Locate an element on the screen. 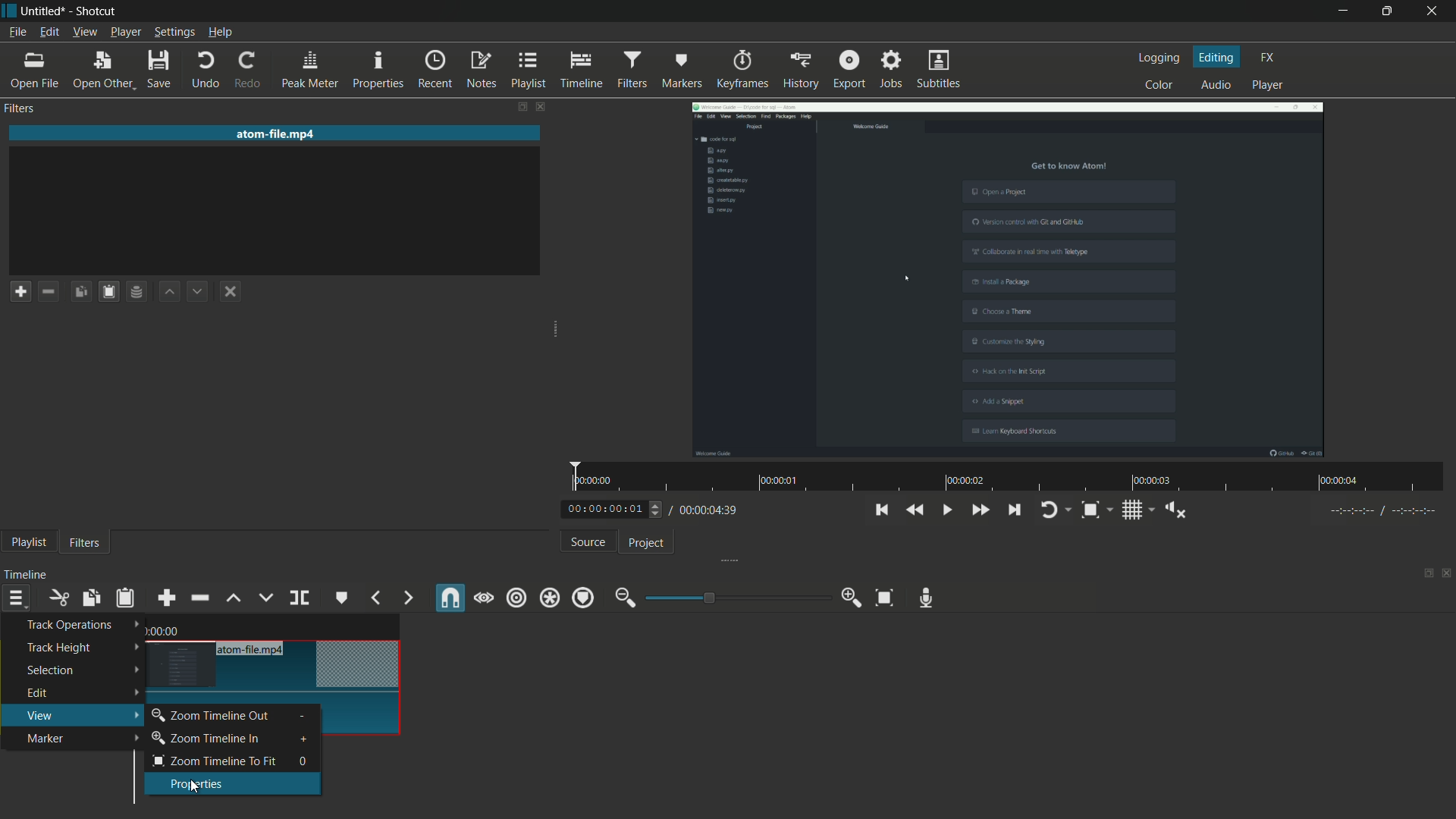 Image resolution: width=1456 pixels, height=819 pixels. app name is located at coordinates (99, 12).